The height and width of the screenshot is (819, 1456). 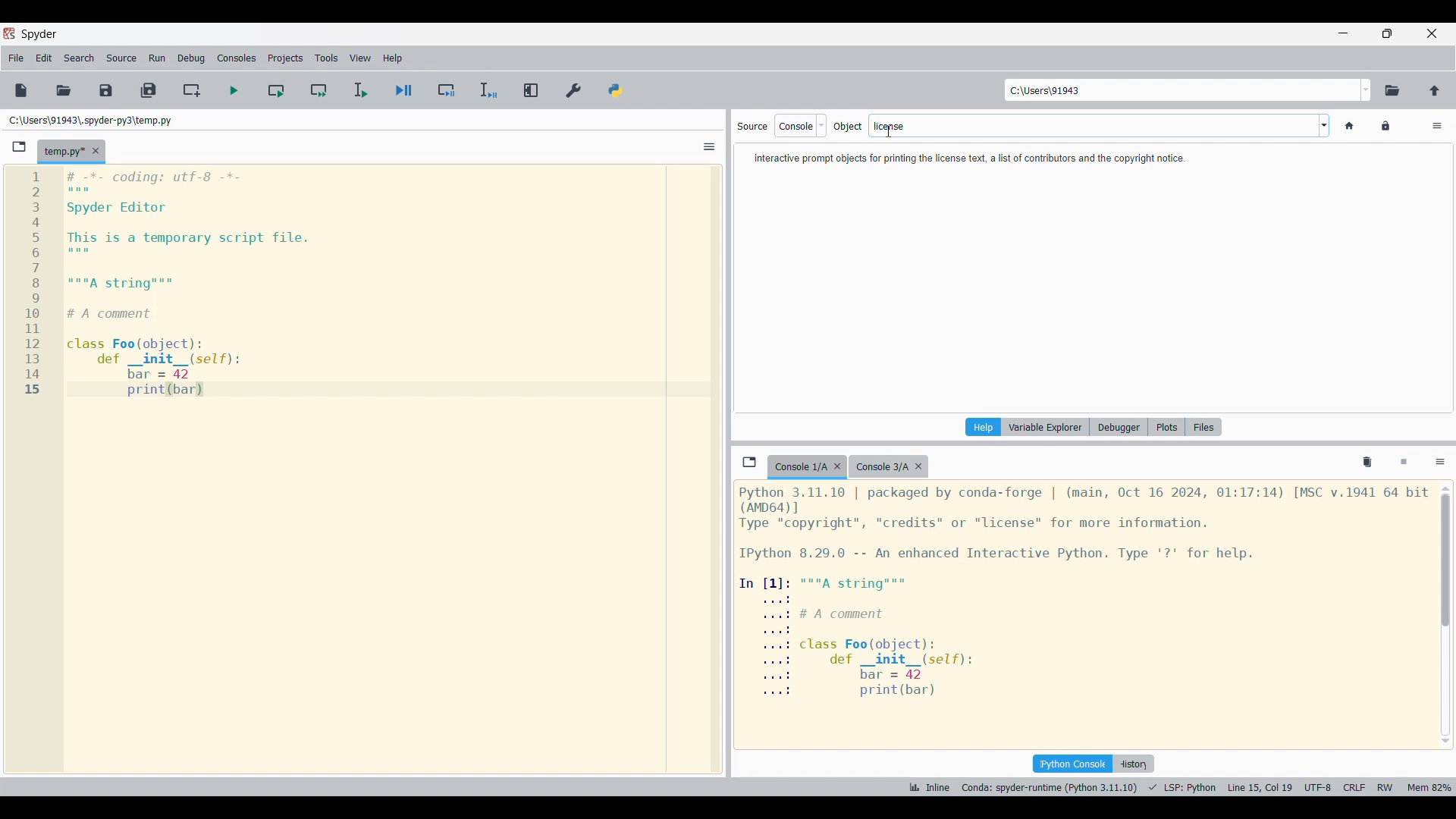 I want to click on Source menu, so click(x=122, y=56).